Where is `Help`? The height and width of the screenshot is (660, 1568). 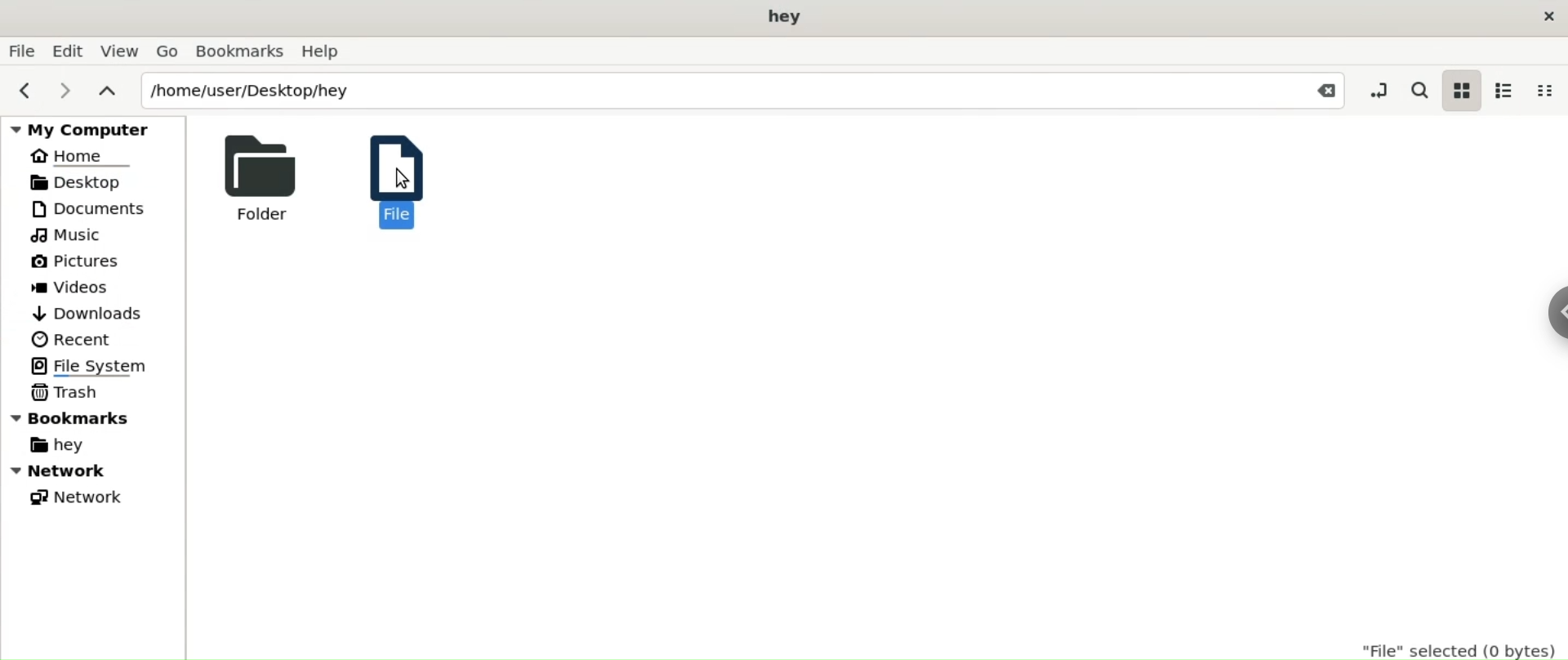 Help is located at coordinates (326, 51).